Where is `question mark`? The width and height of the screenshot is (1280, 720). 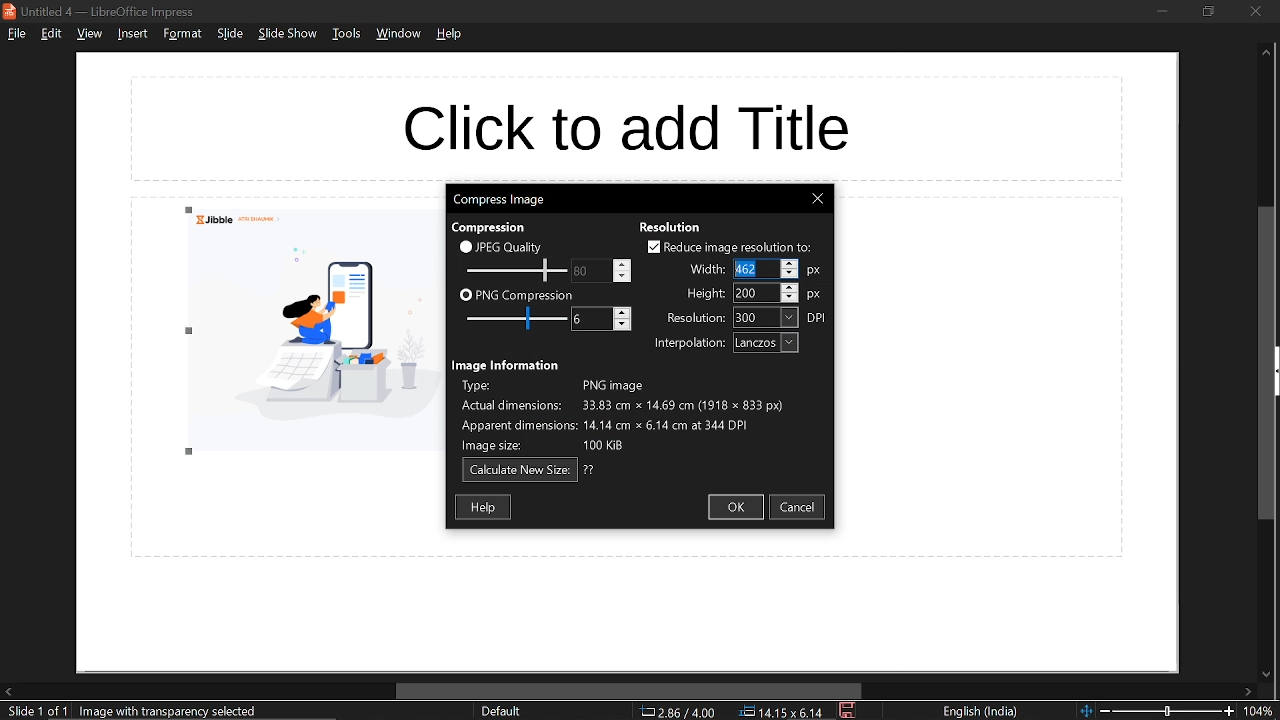 question mark is located at coordinates (590, 470).